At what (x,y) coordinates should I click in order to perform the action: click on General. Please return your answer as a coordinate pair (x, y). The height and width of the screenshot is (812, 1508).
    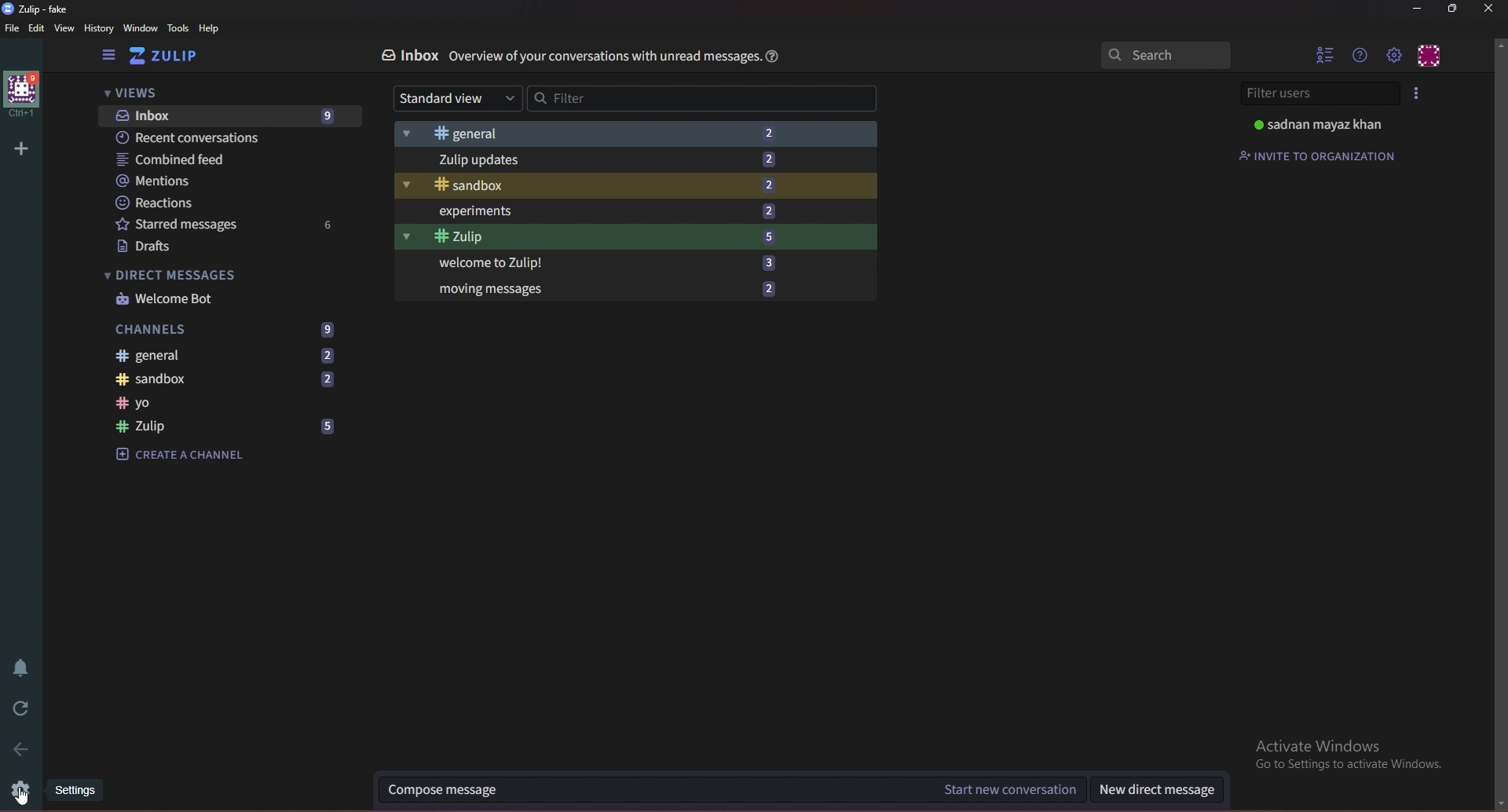
    Looking at the image, I should click on (228, 355).